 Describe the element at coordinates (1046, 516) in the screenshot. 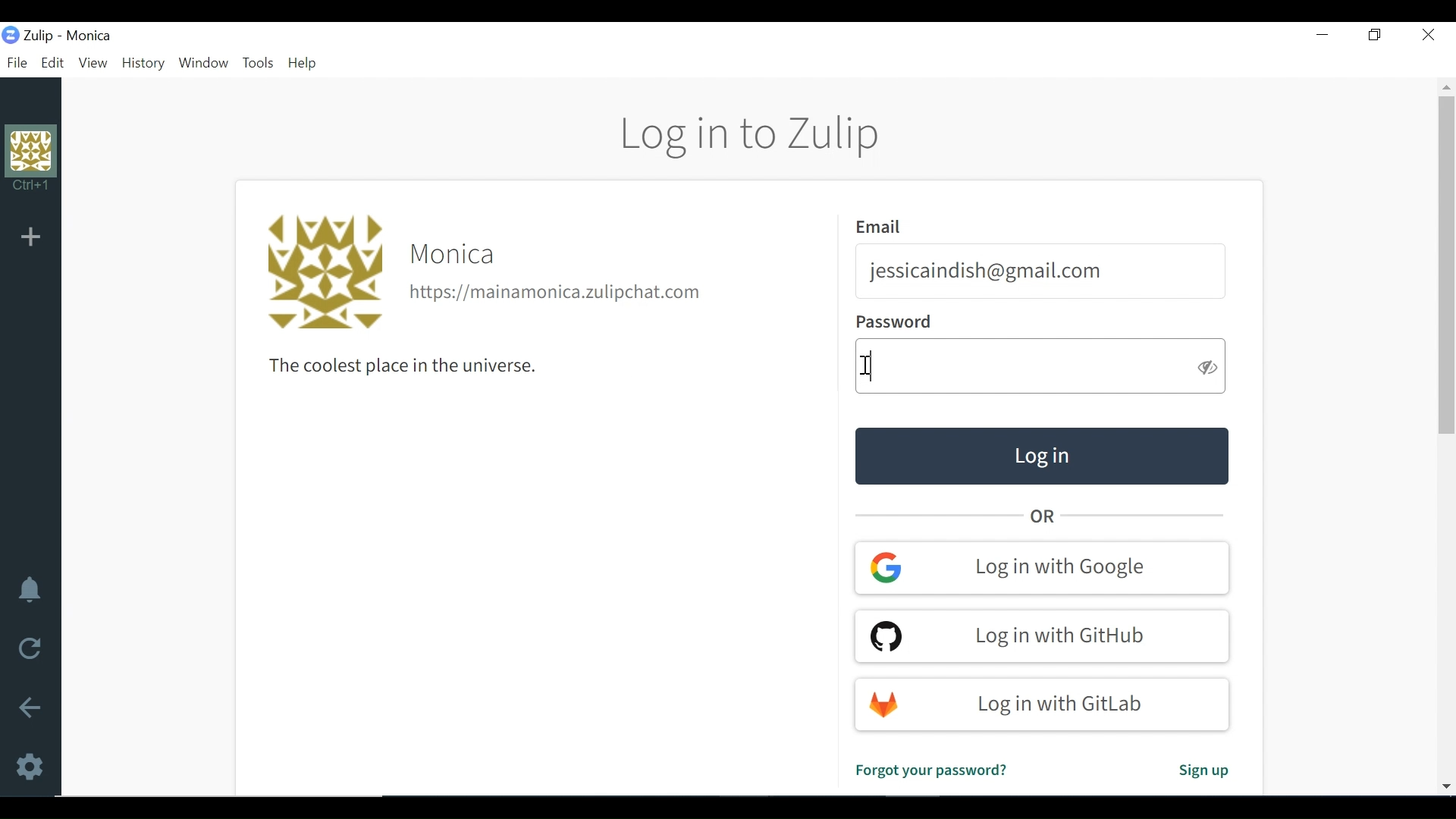

I see `OR` at that location.